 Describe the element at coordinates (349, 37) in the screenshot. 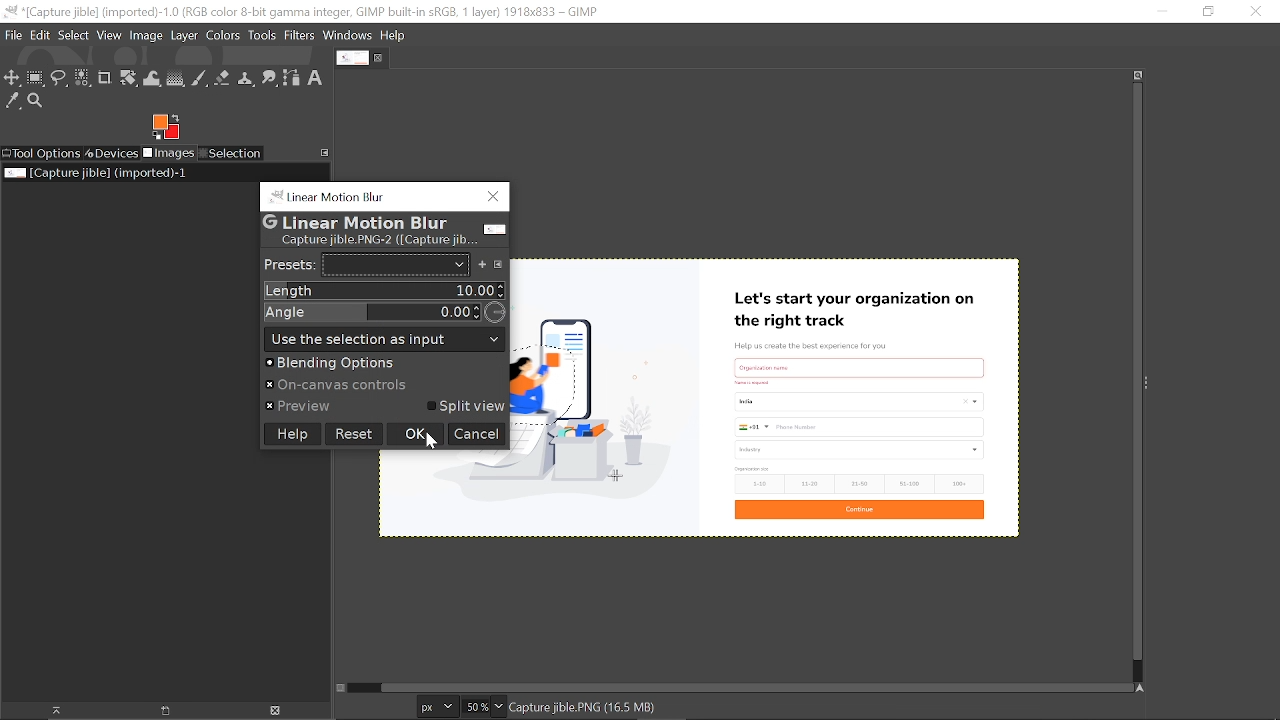

I see `Windows` at that location.